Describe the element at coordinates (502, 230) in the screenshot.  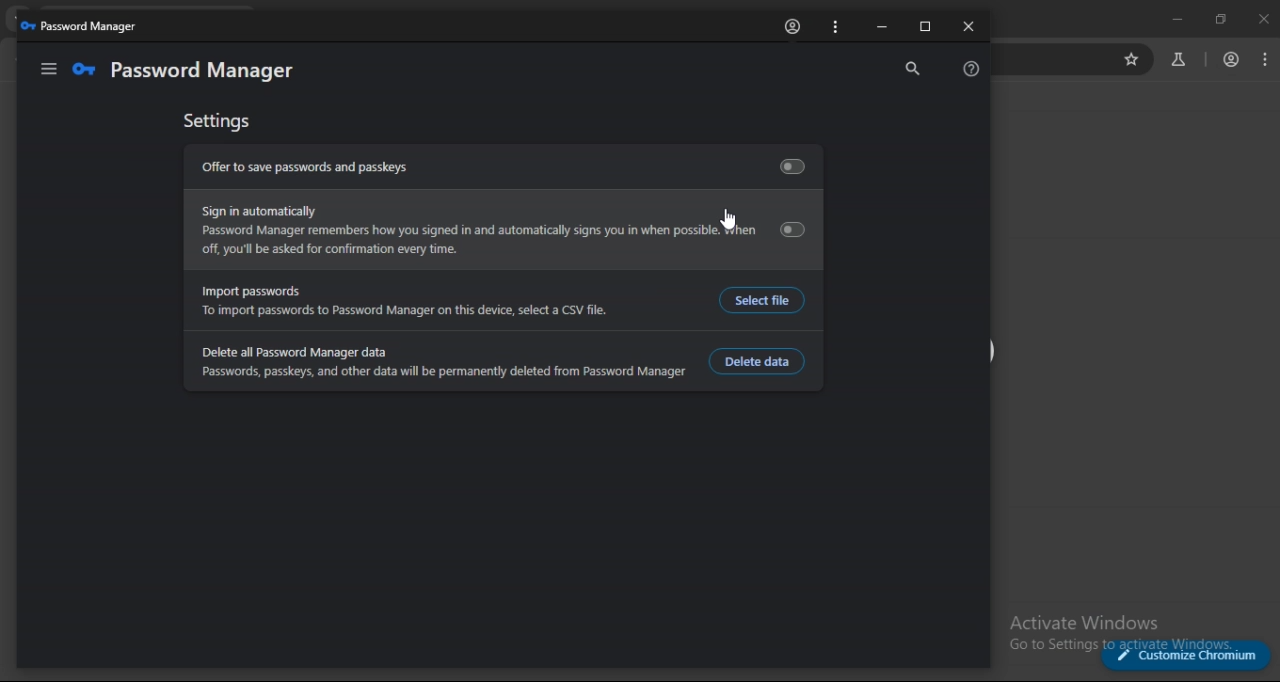
I see `sign in automatically` at that location.